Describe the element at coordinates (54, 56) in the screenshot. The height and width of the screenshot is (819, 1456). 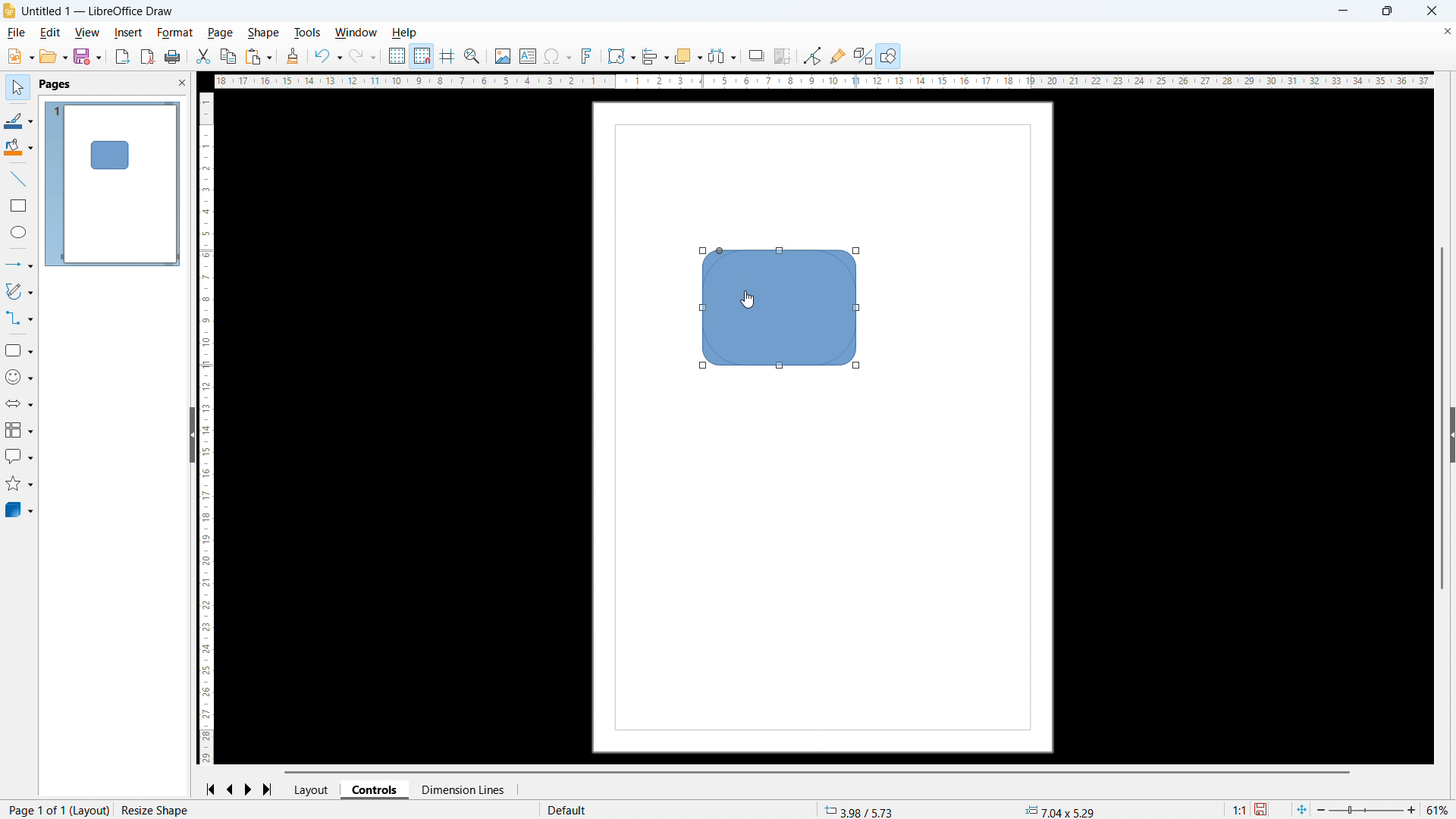
I see `open ` at that location.